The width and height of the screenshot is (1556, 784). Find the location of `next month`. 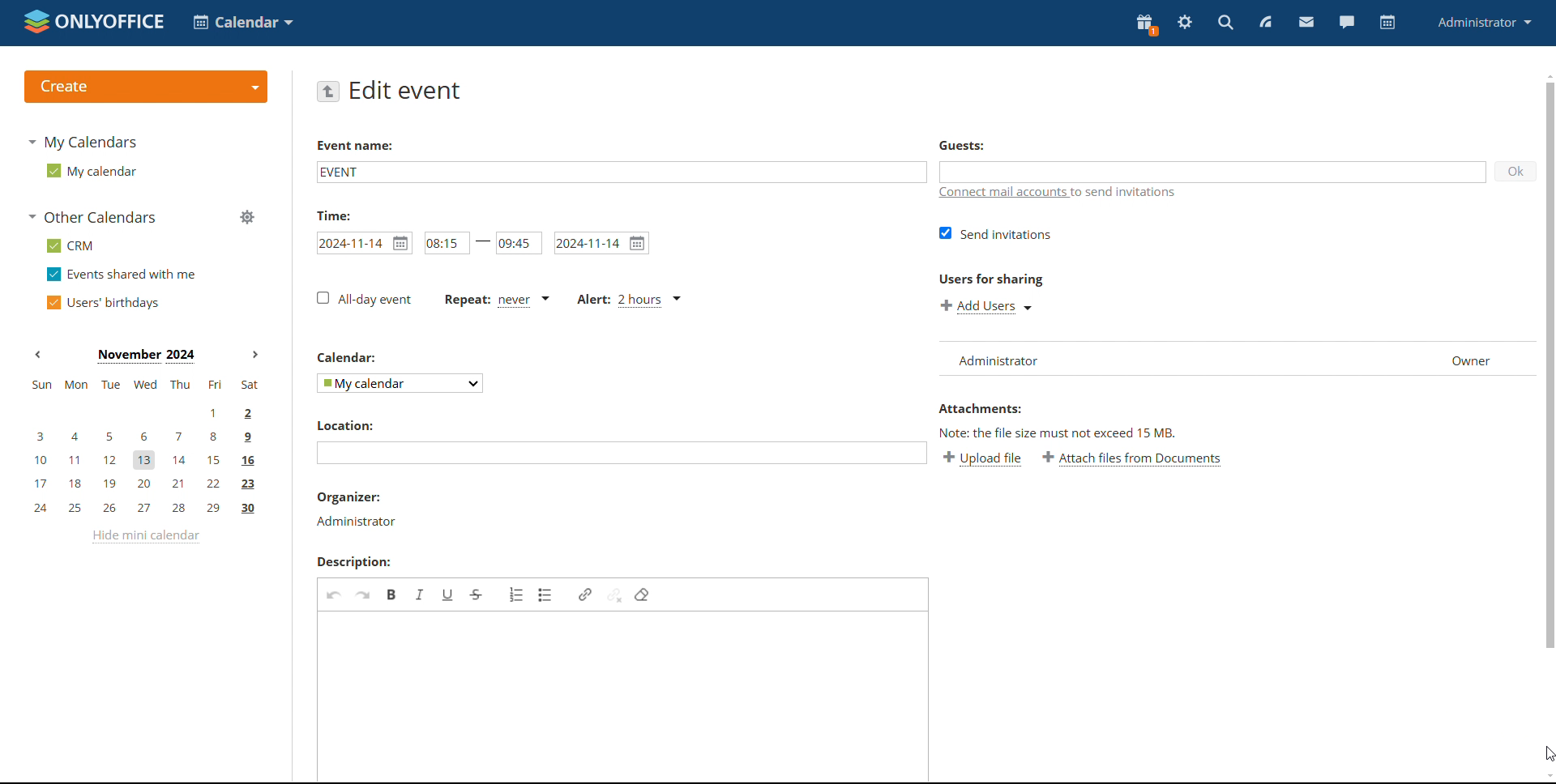

next month is located at coordinates (253, 355).